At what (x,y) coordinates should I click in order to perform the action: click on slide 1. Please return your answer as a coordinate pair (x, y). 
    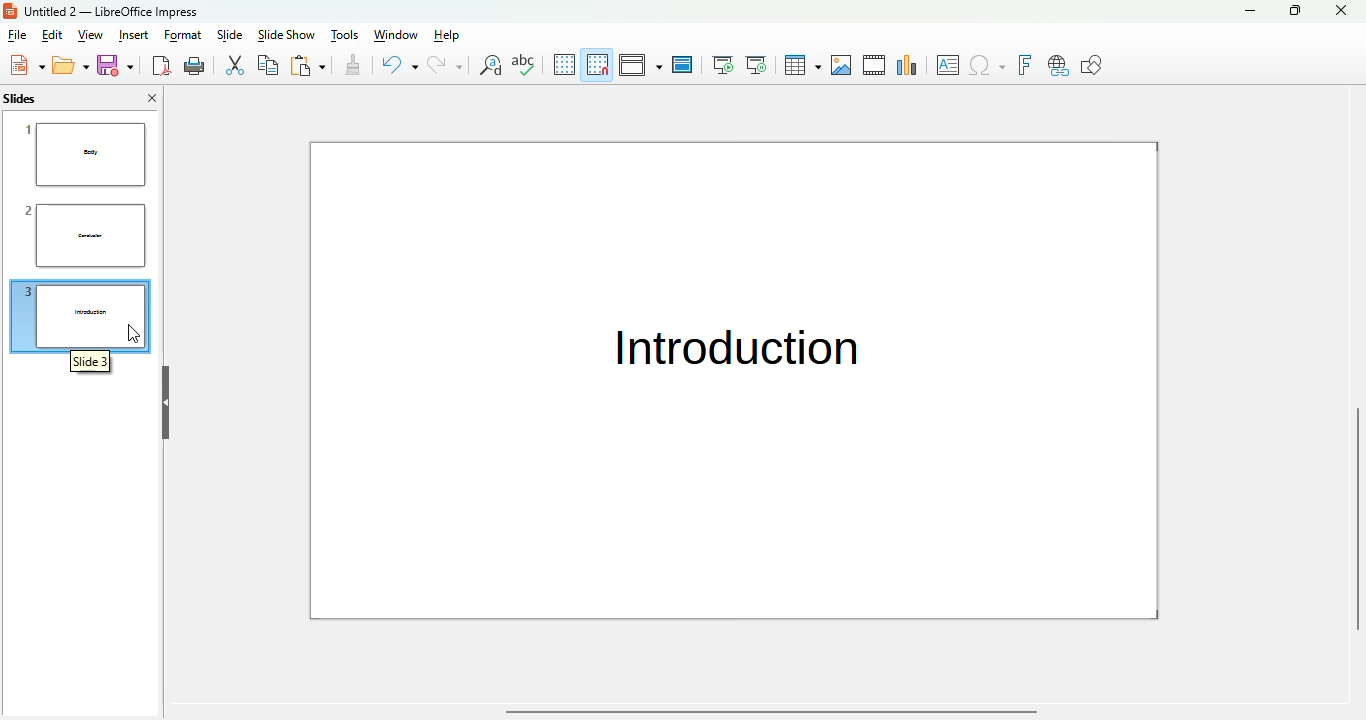
    Looking at the image, I should click on (85, 153).